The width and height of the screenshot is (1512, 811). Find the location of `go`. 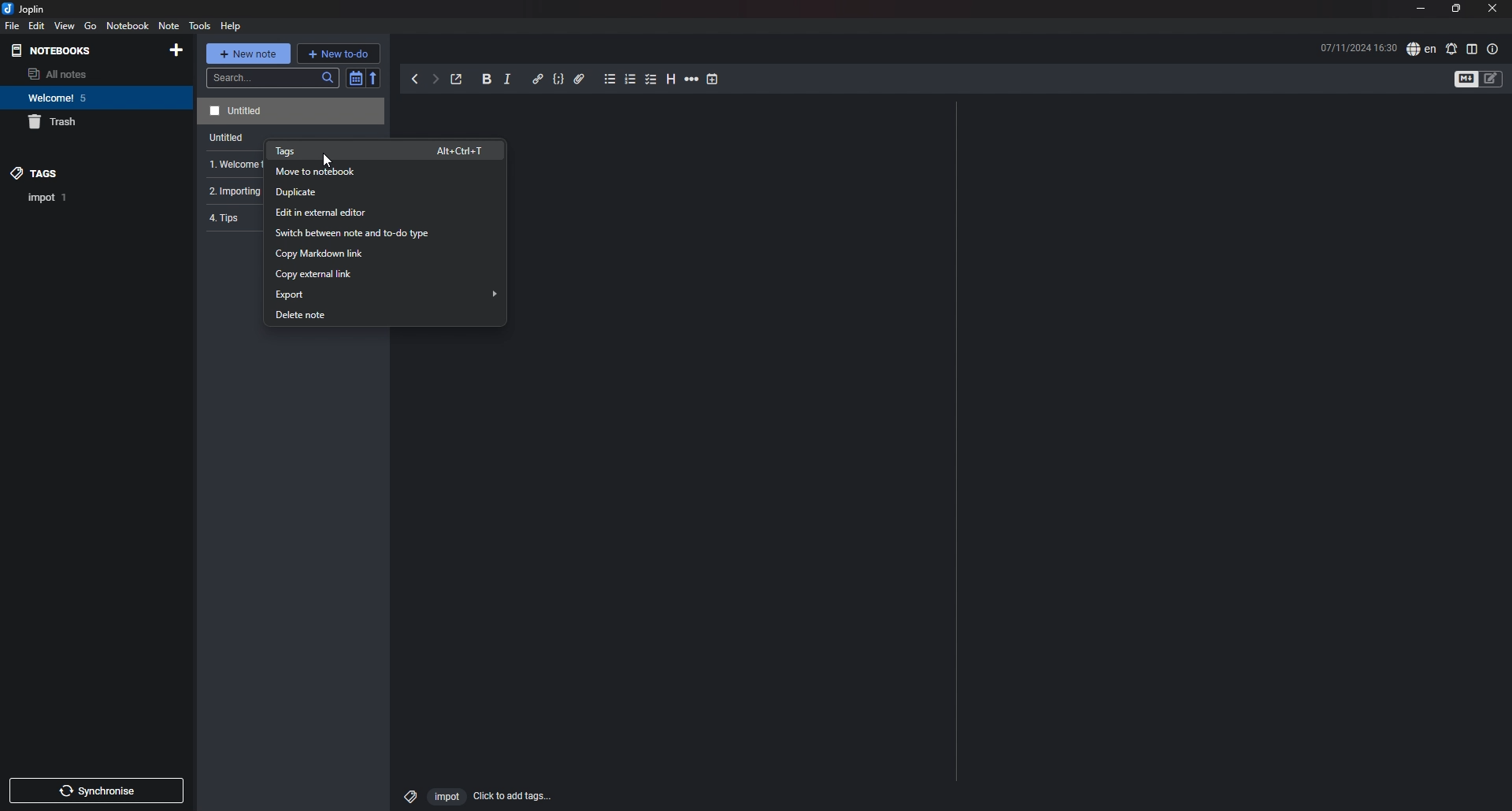

go is located at coordinates (91, 25).